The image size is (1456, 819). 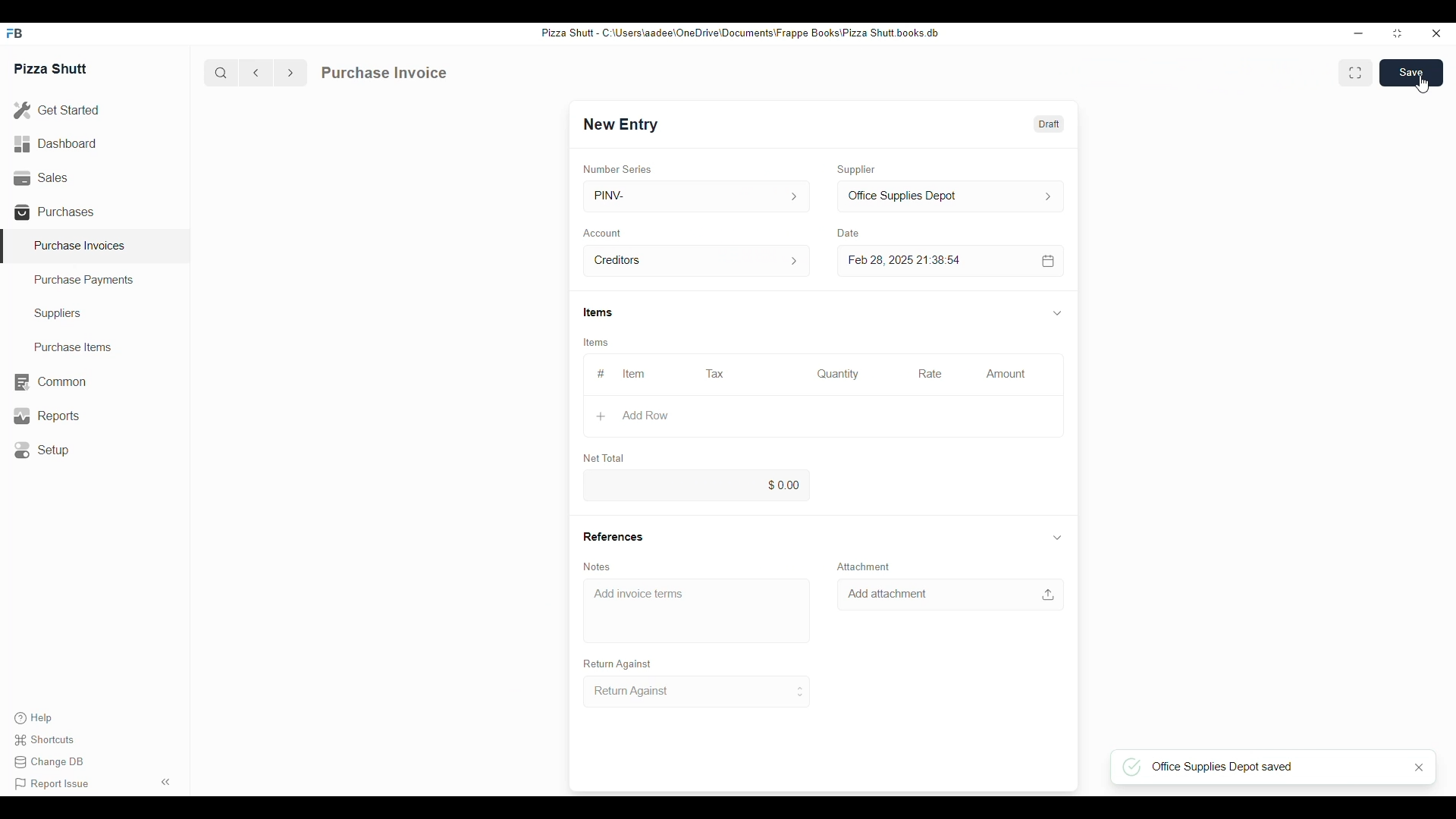 I want to click on Quantity, so click(x=838, y=373).